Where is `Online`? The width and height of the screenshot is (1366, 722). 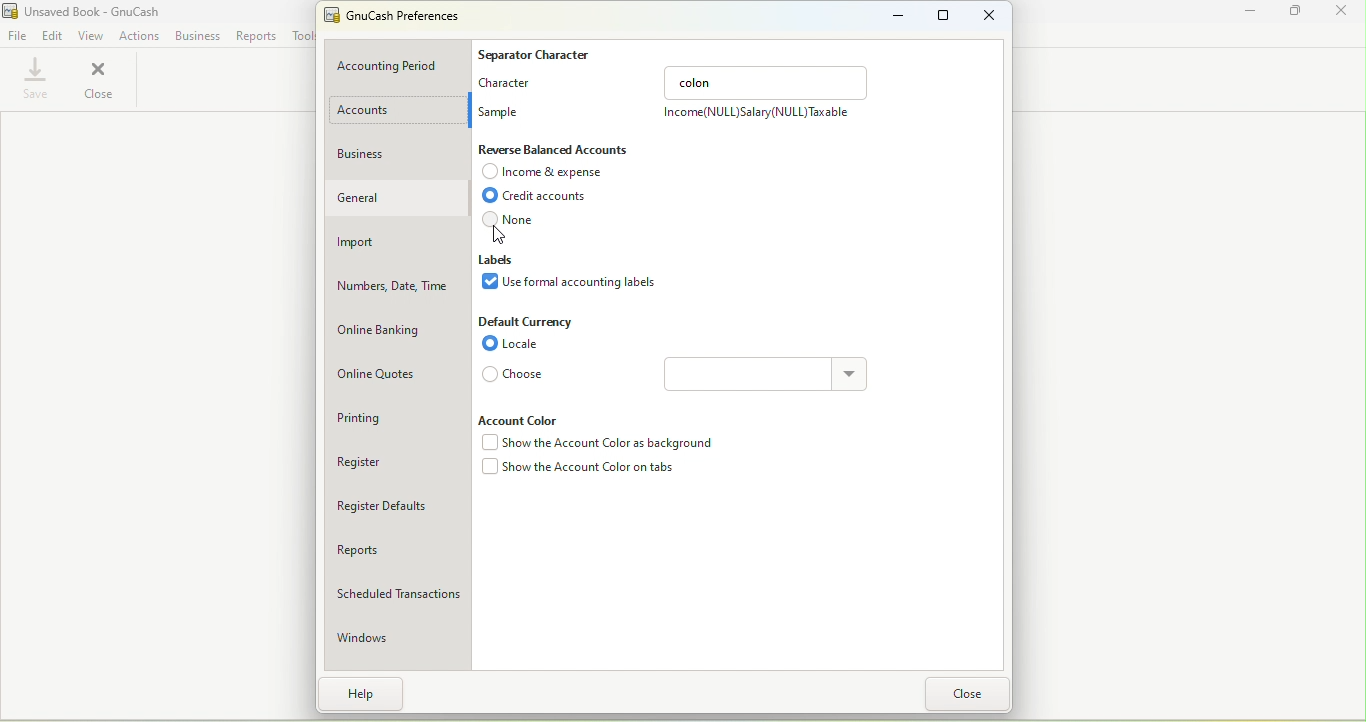
Online is located at coordinates (396, 331).